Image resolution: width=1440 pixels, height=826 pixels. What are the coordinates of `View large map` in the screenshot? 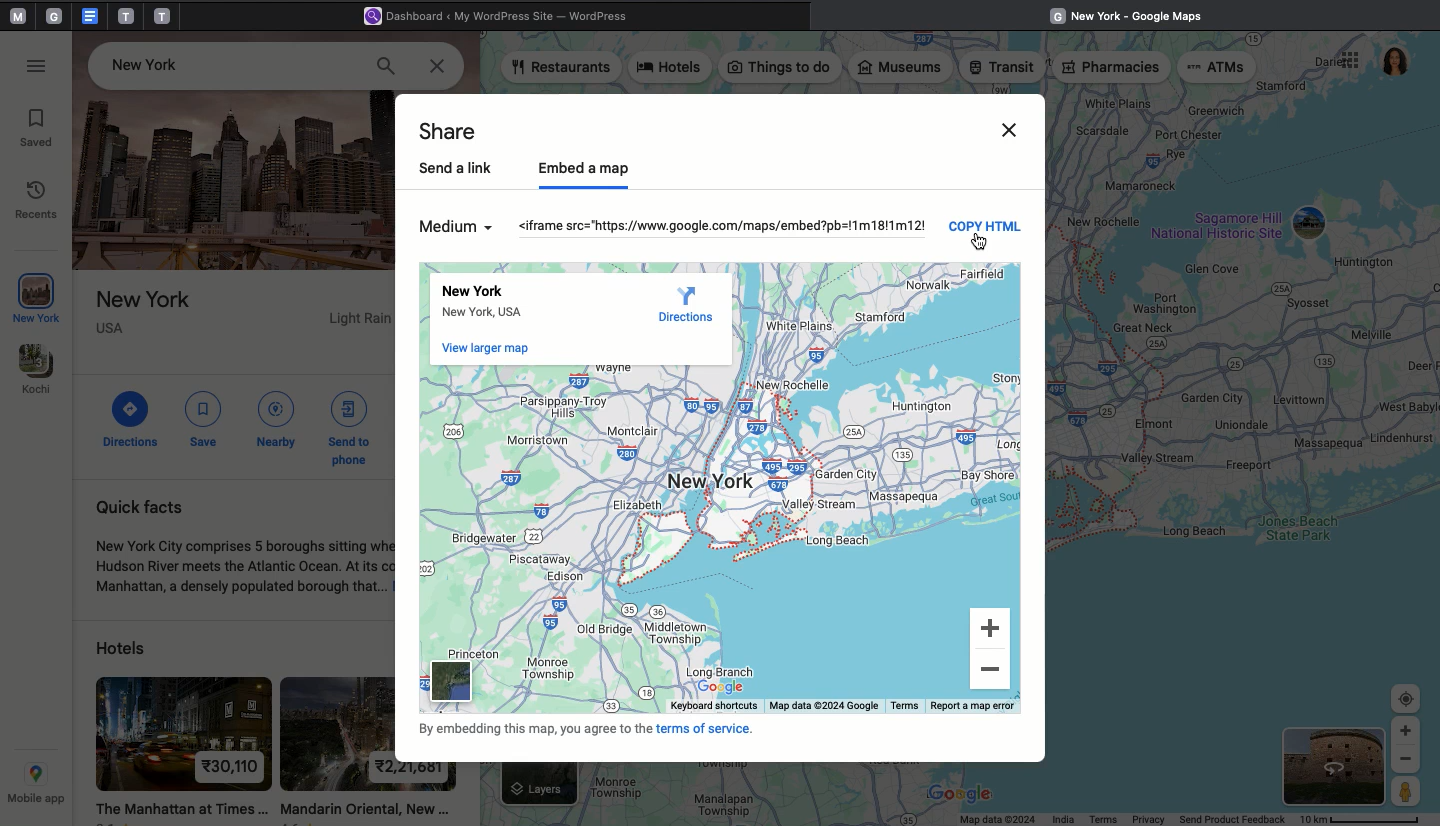 It's located at (491, 351).